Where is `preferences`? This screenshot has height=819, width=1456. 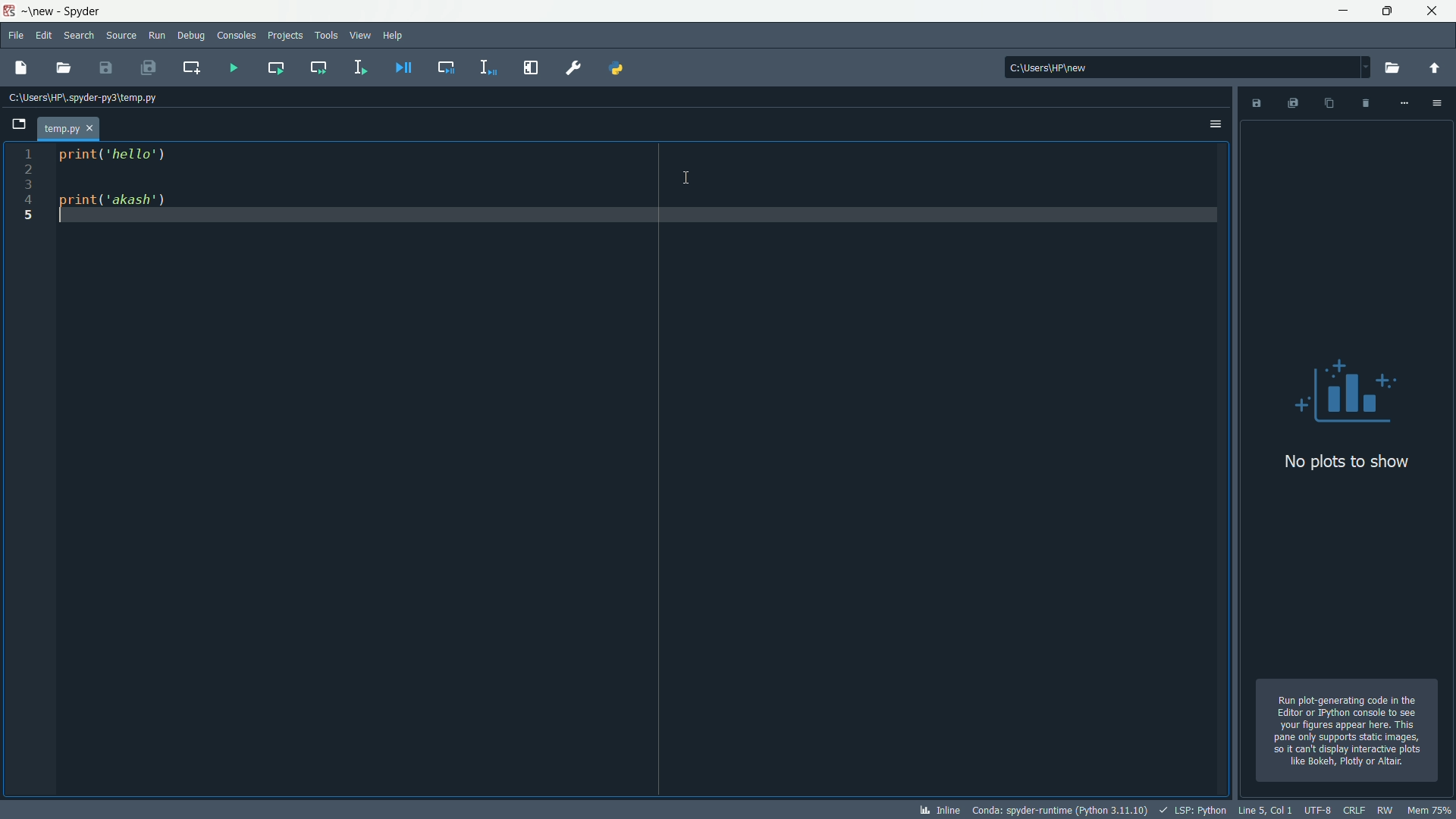 preferences is located at coordinates (571, 67).